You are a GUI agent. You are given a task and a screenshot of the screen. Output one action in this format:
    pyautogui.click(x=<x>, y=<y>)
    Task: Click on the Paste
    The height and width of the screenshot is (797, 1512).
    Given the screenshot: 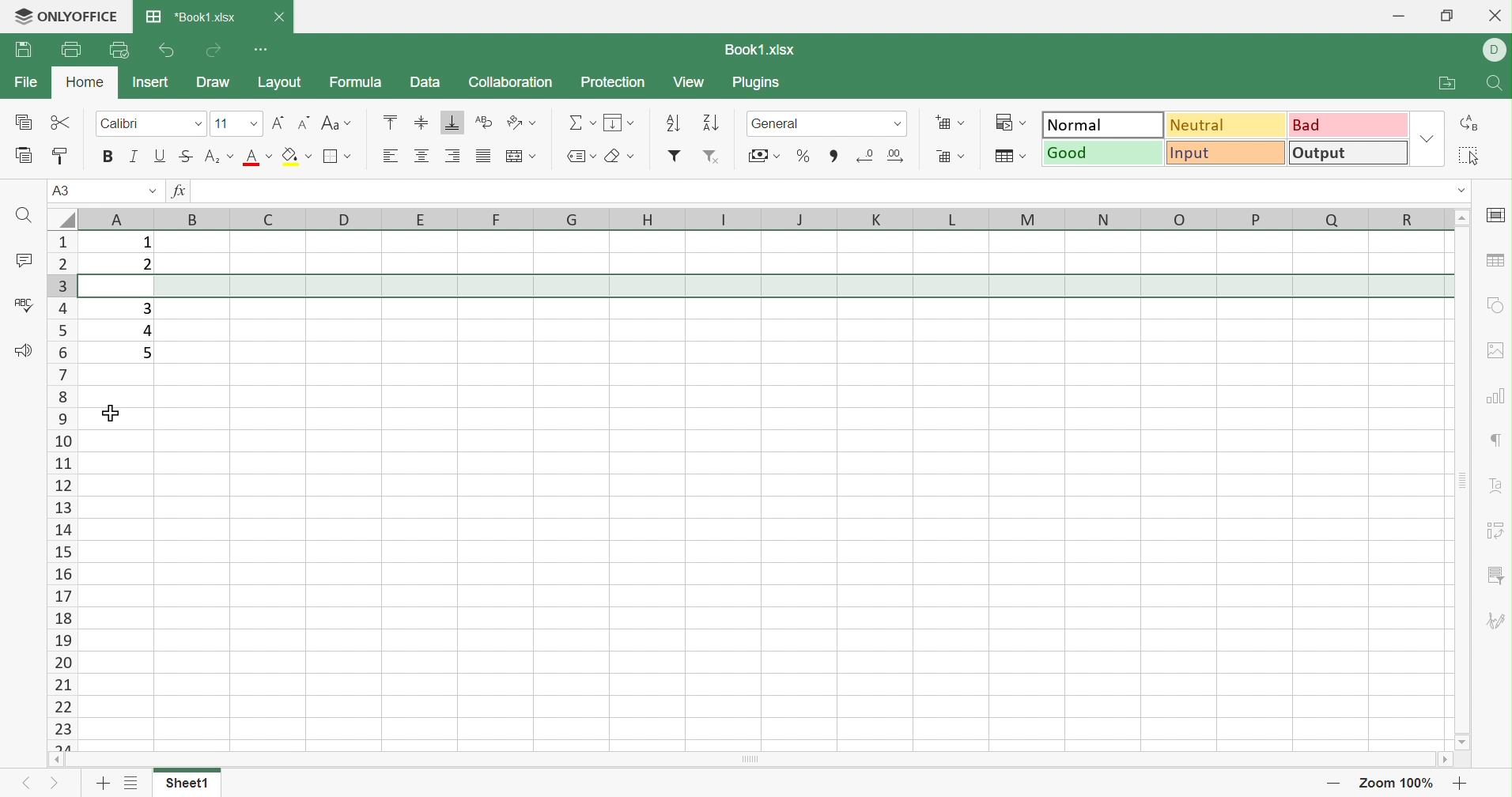 What is the action you would take?
    pyautogui.click(x=25, y=157)
    